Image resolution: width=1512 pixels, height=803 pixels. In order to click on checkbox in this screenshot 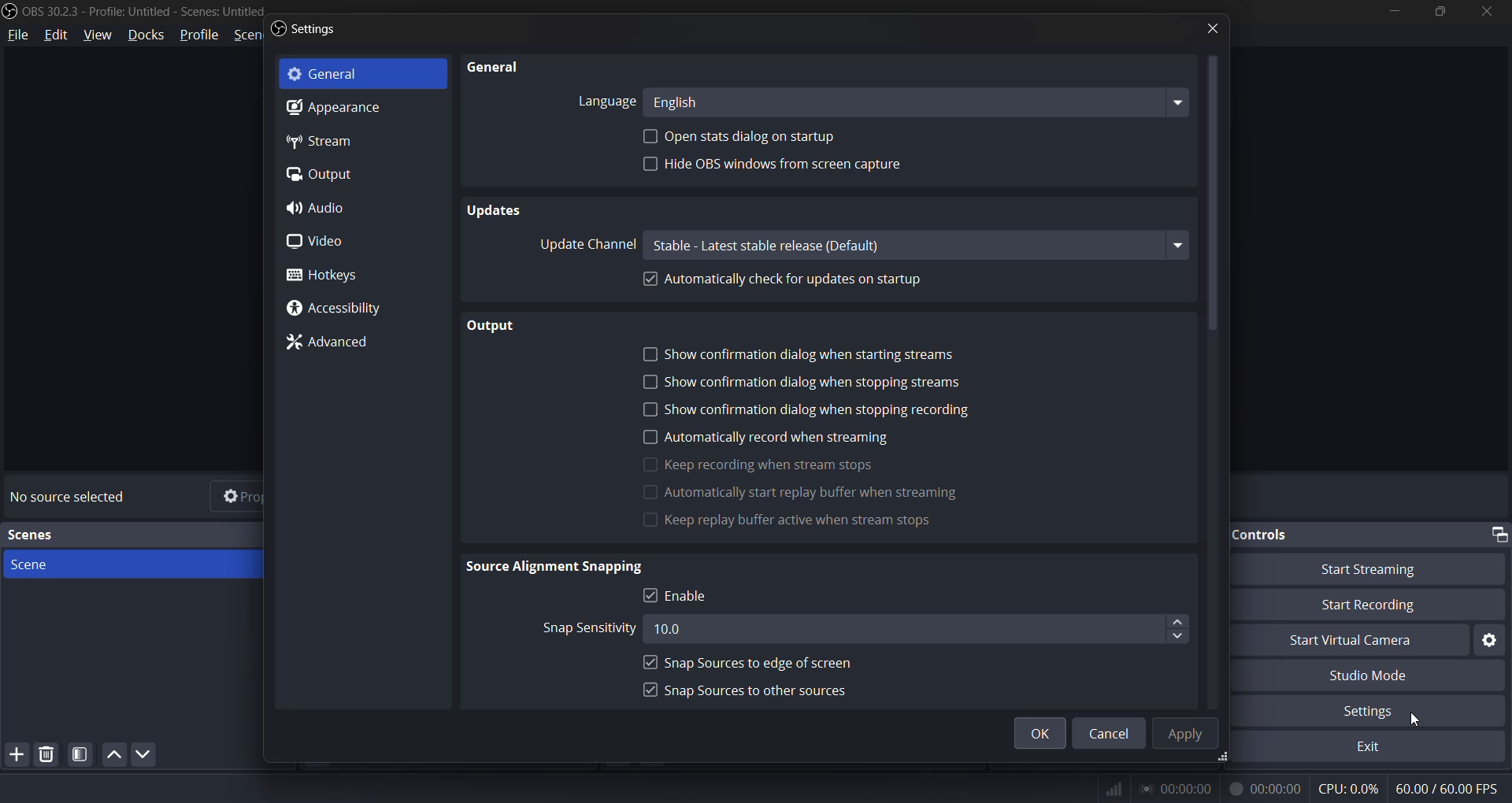, I will do `click(650, 163)`.